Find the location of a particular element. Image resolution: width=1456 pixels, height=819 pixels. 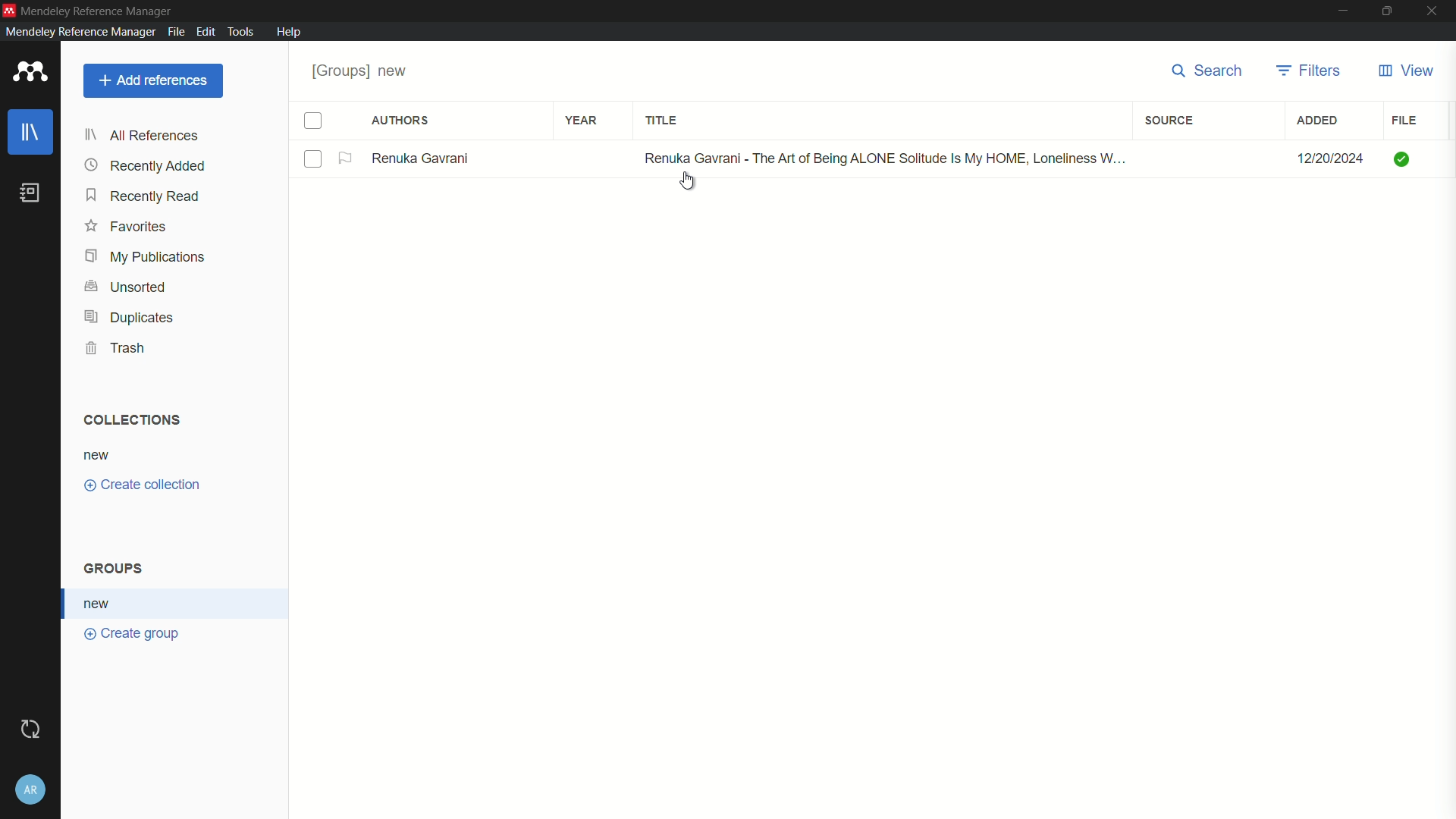

authors is located at coordinates (402, 121).